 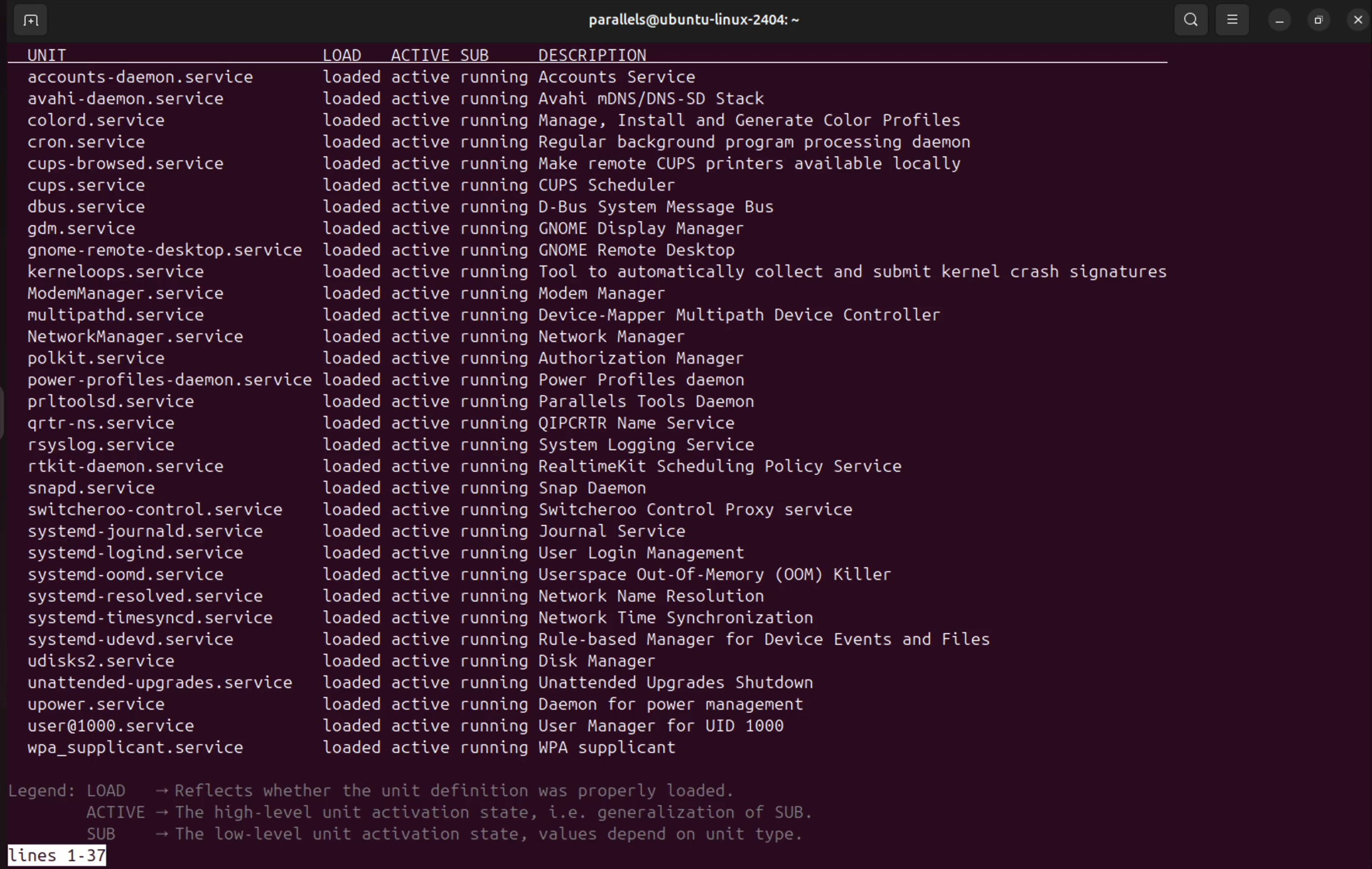 What do you see at coordinates (95, 231) in the screenshot?
I see `Gdm sevice` at bounding box center [95, 231].